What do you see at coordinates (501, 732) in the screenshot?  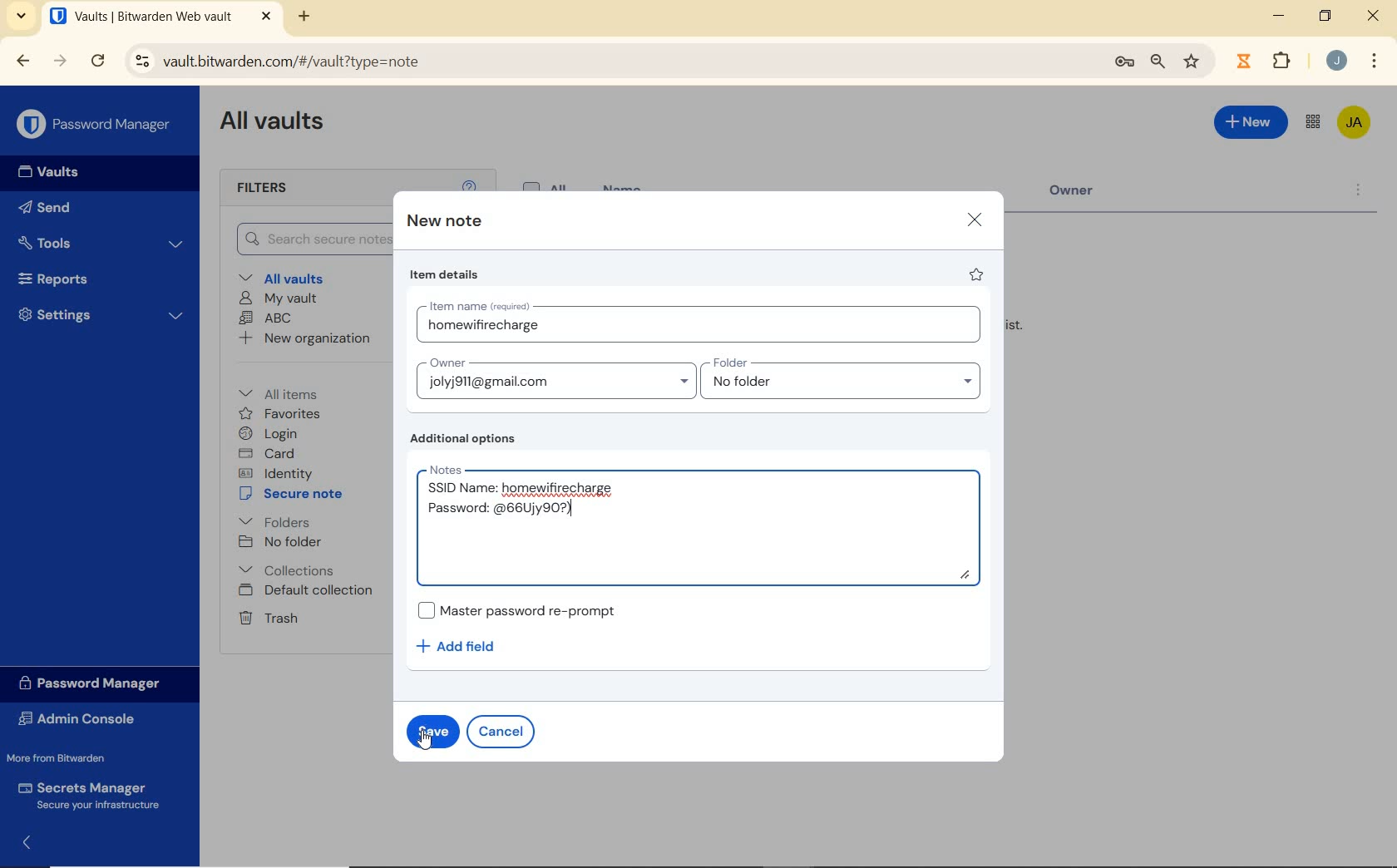 I see `cancel` at bounding box center [501, 732].